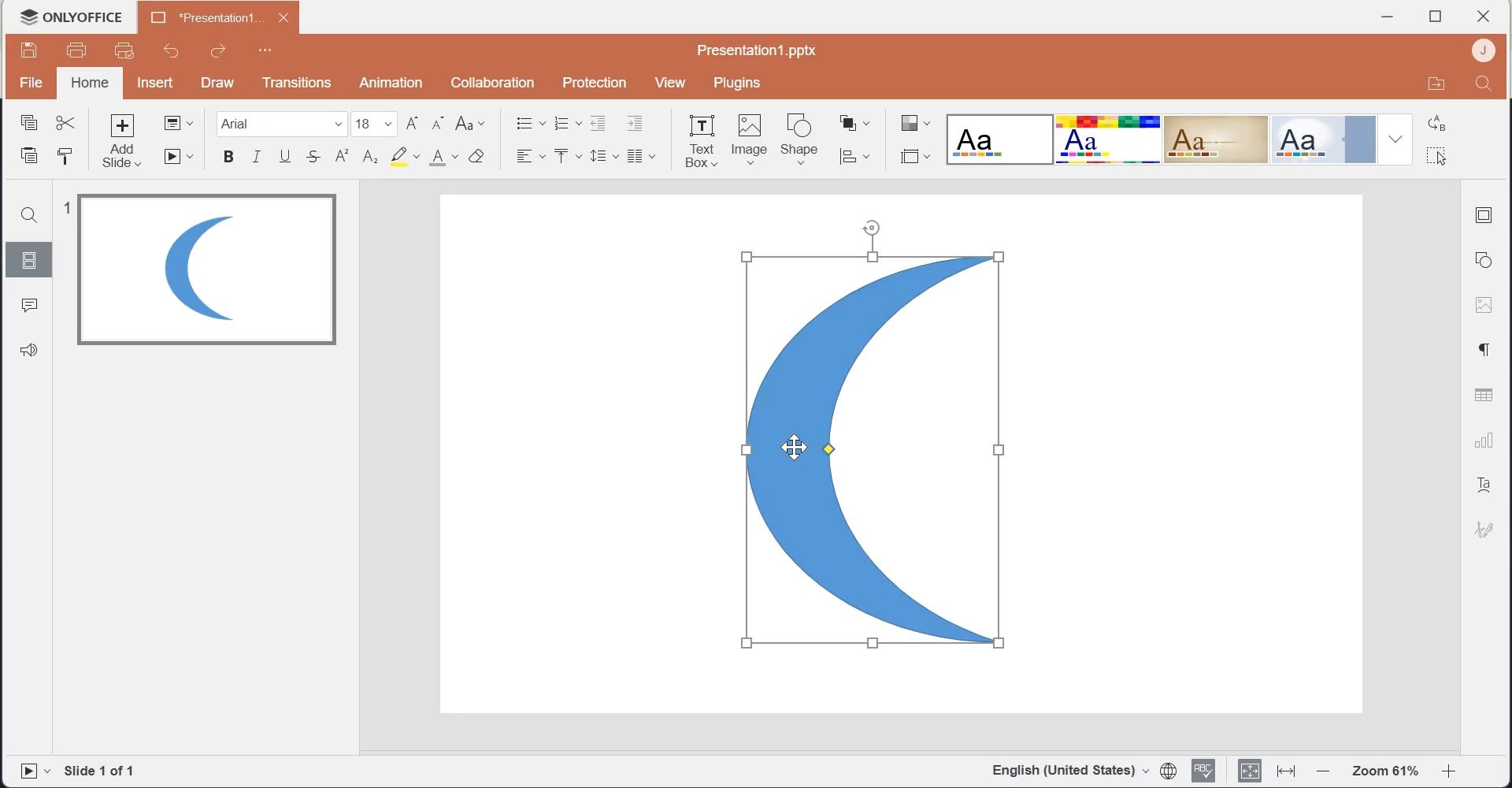 The image size is (1512, 788). Describe the element at coordinates (1248, 772) in the screenshot. I see `Fit to slide` at that location.